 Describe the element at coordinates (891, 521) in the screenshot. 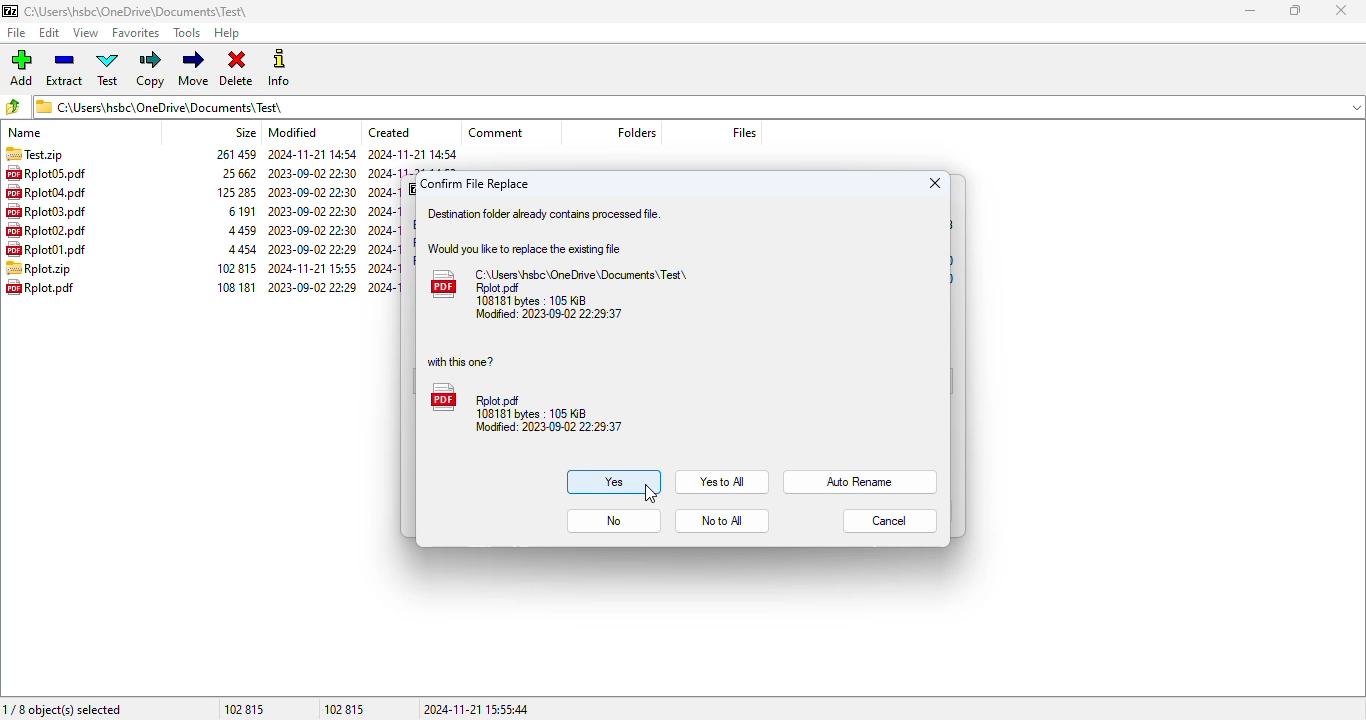

I see `cancel` at that location.